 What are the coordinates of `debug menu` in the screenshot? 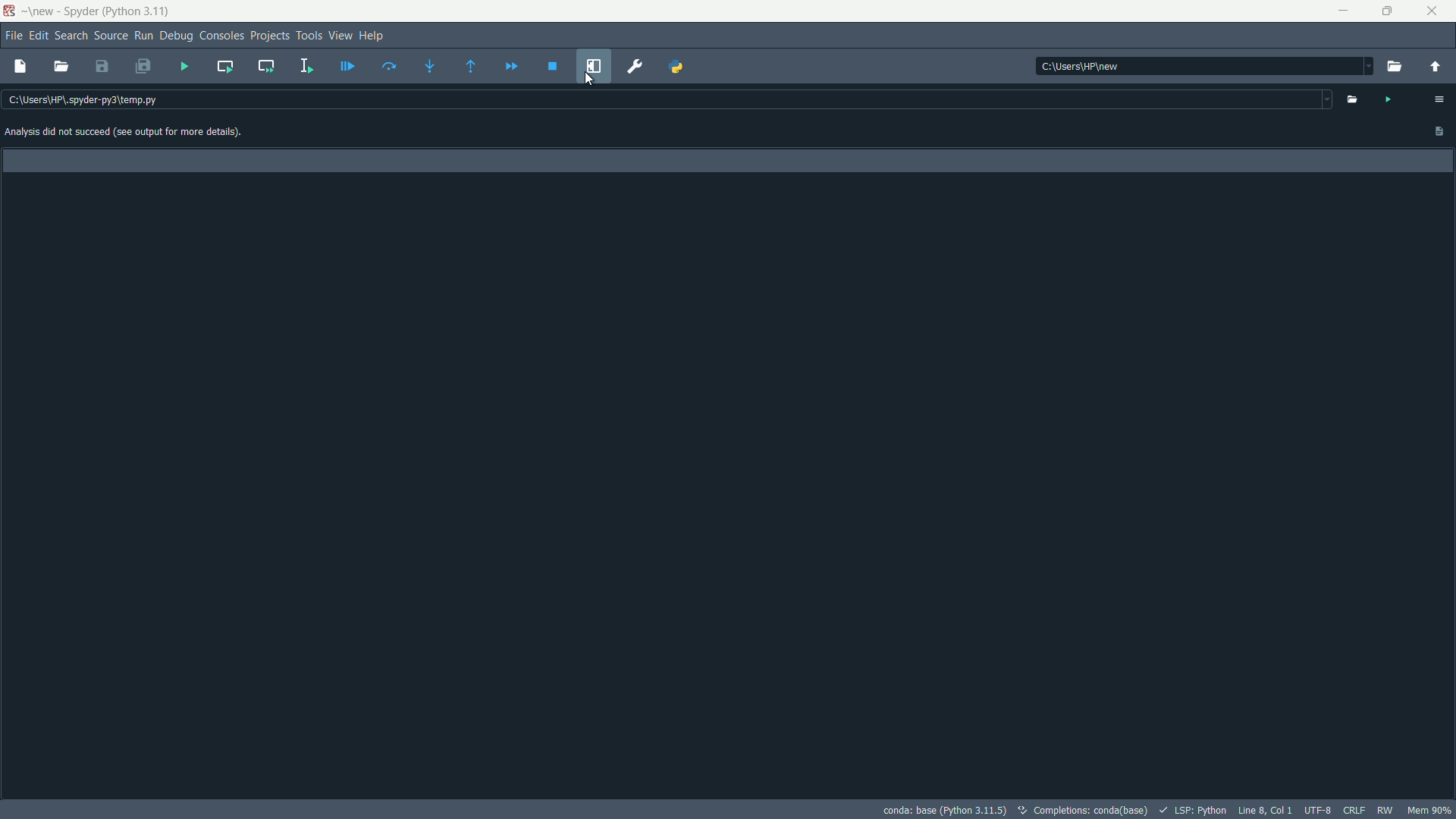 It's located at (175, 35).